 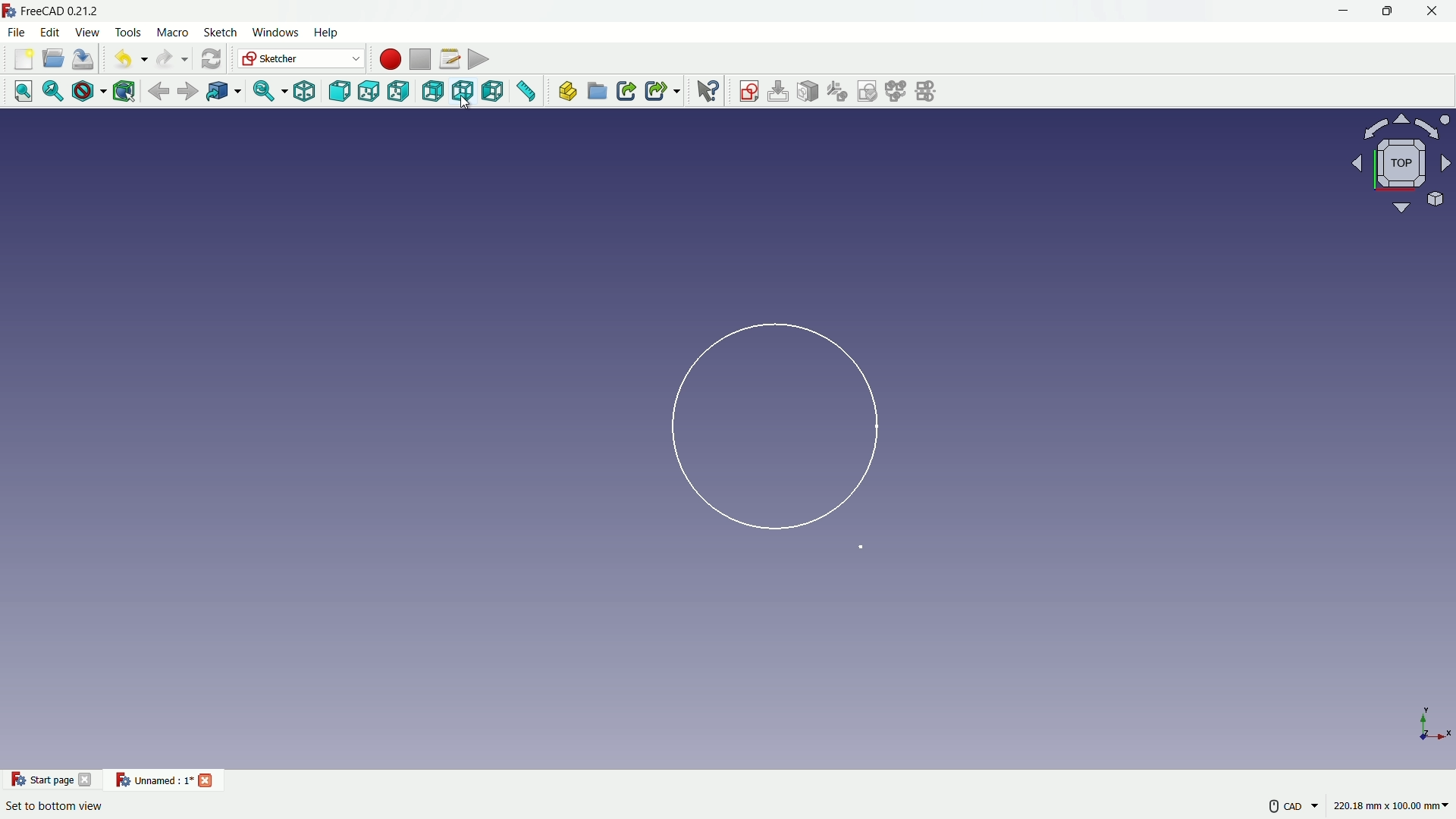 I want to click on close, so click(x=1434, y=13).